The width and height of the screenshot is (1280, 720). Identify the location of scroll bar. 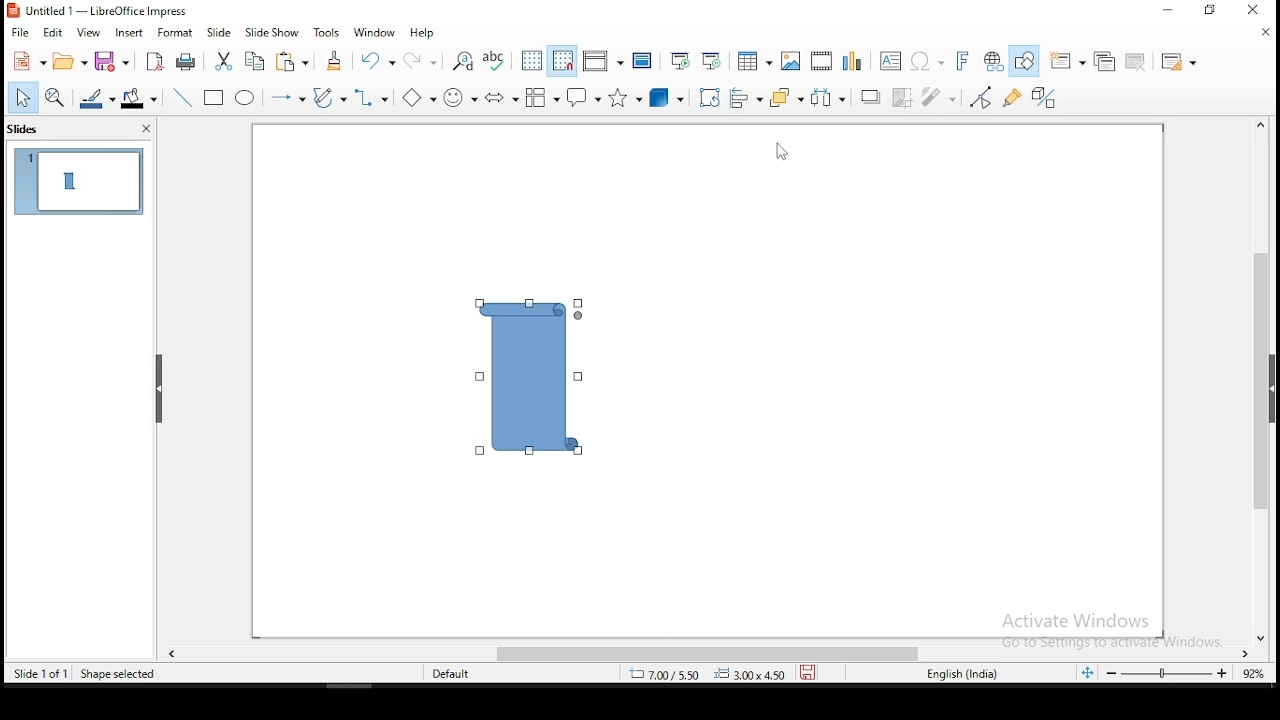
(703, 651).